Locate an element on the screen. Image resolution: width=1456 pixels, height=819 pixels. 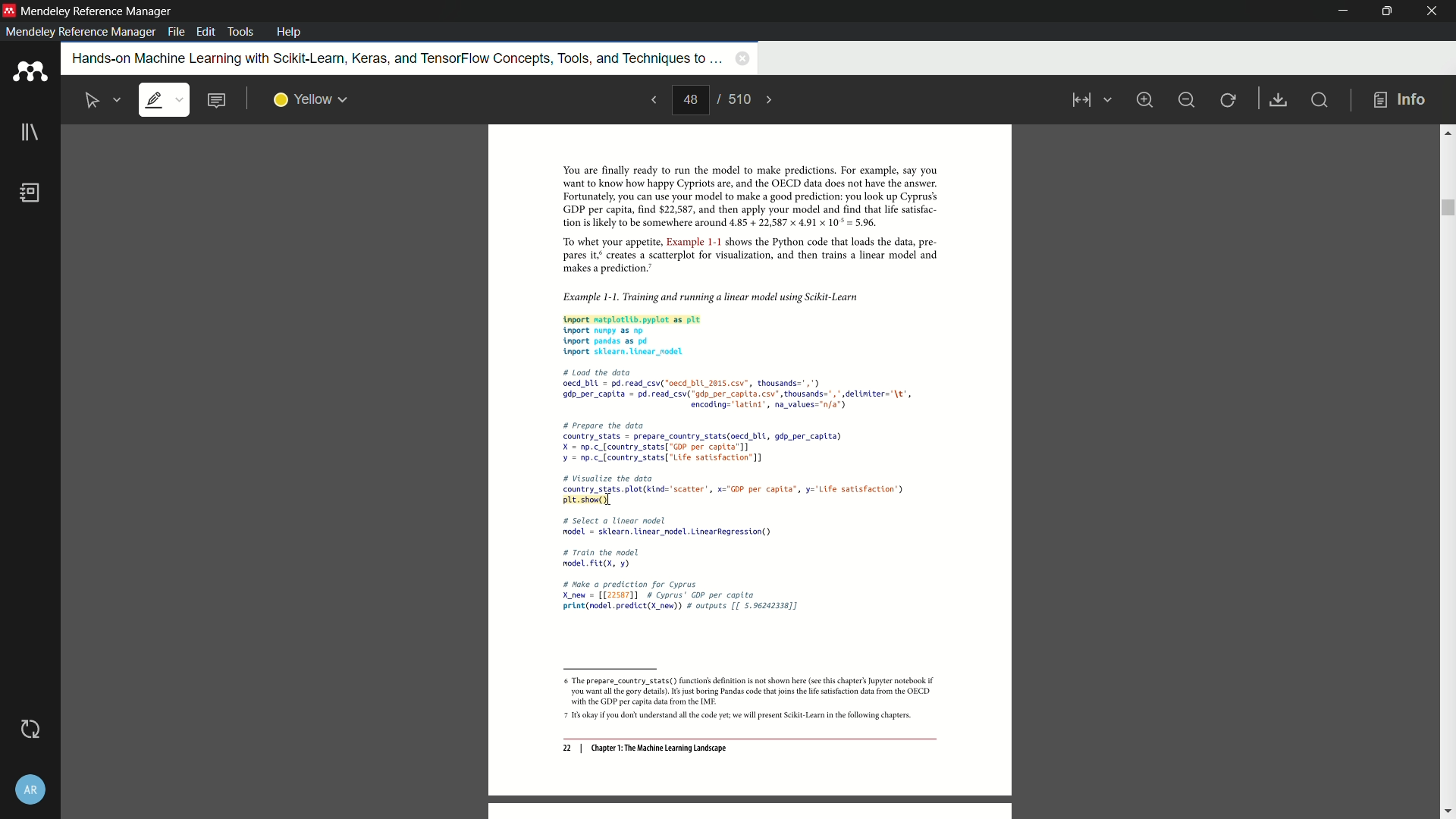
current page is located at coordinates (690, 100).